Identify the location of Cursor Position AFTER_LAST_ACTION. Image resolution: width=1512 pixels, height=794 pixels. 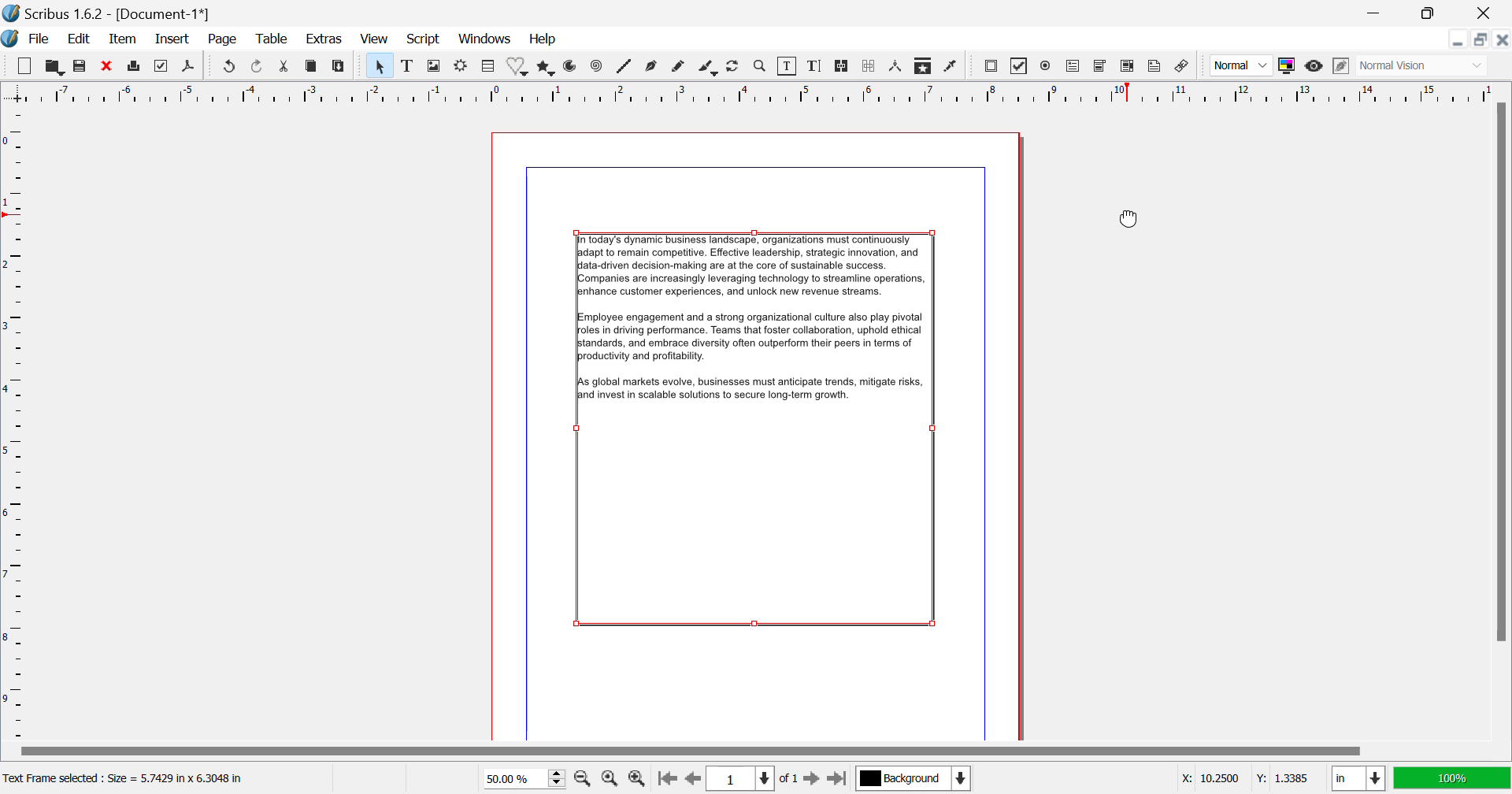
(1133, 219).